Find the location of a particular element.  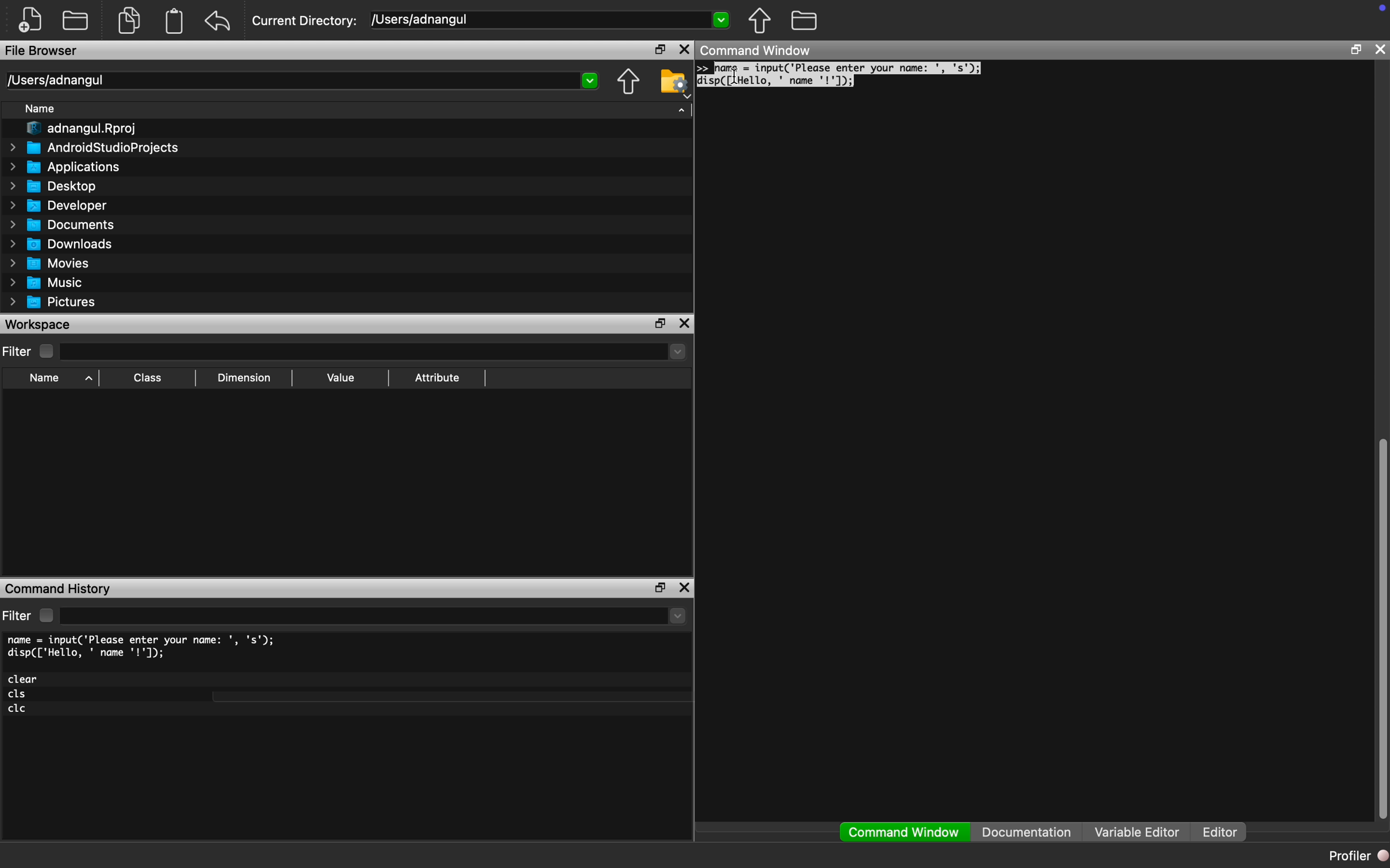

Name is located at coordinates (41, 108).